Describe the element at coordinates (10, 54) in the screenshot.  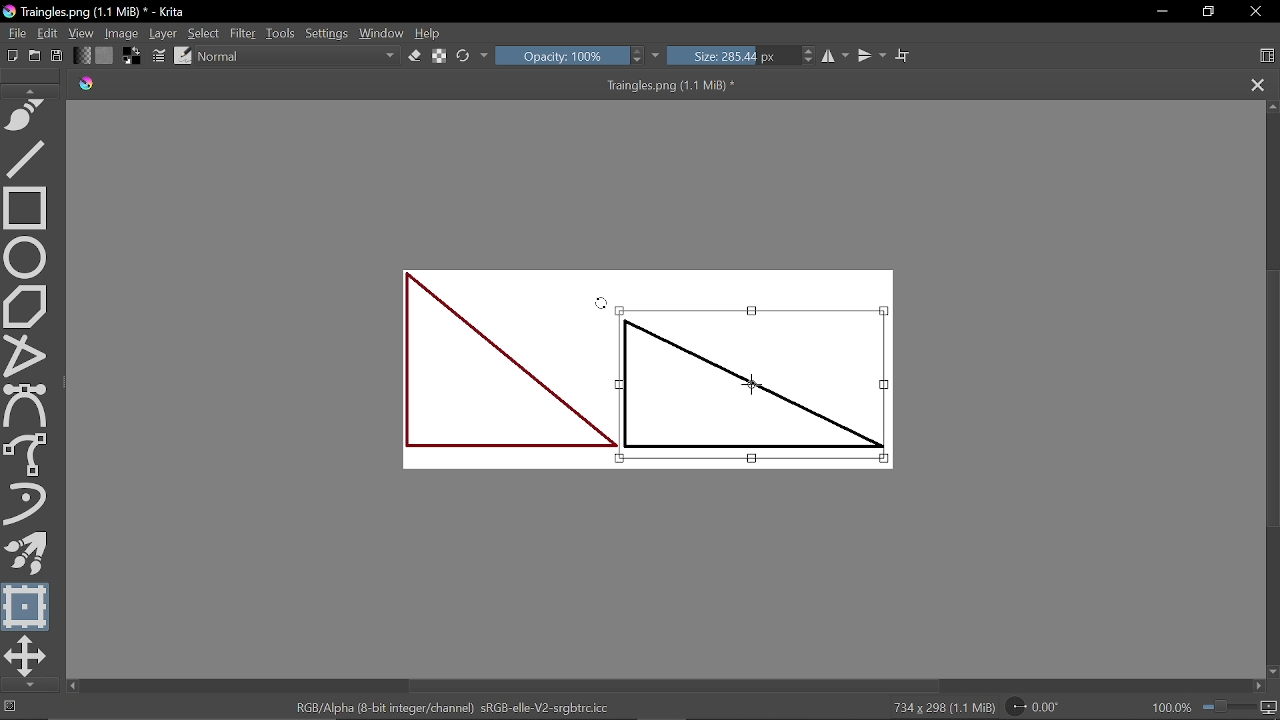
I see `New document` at that location.